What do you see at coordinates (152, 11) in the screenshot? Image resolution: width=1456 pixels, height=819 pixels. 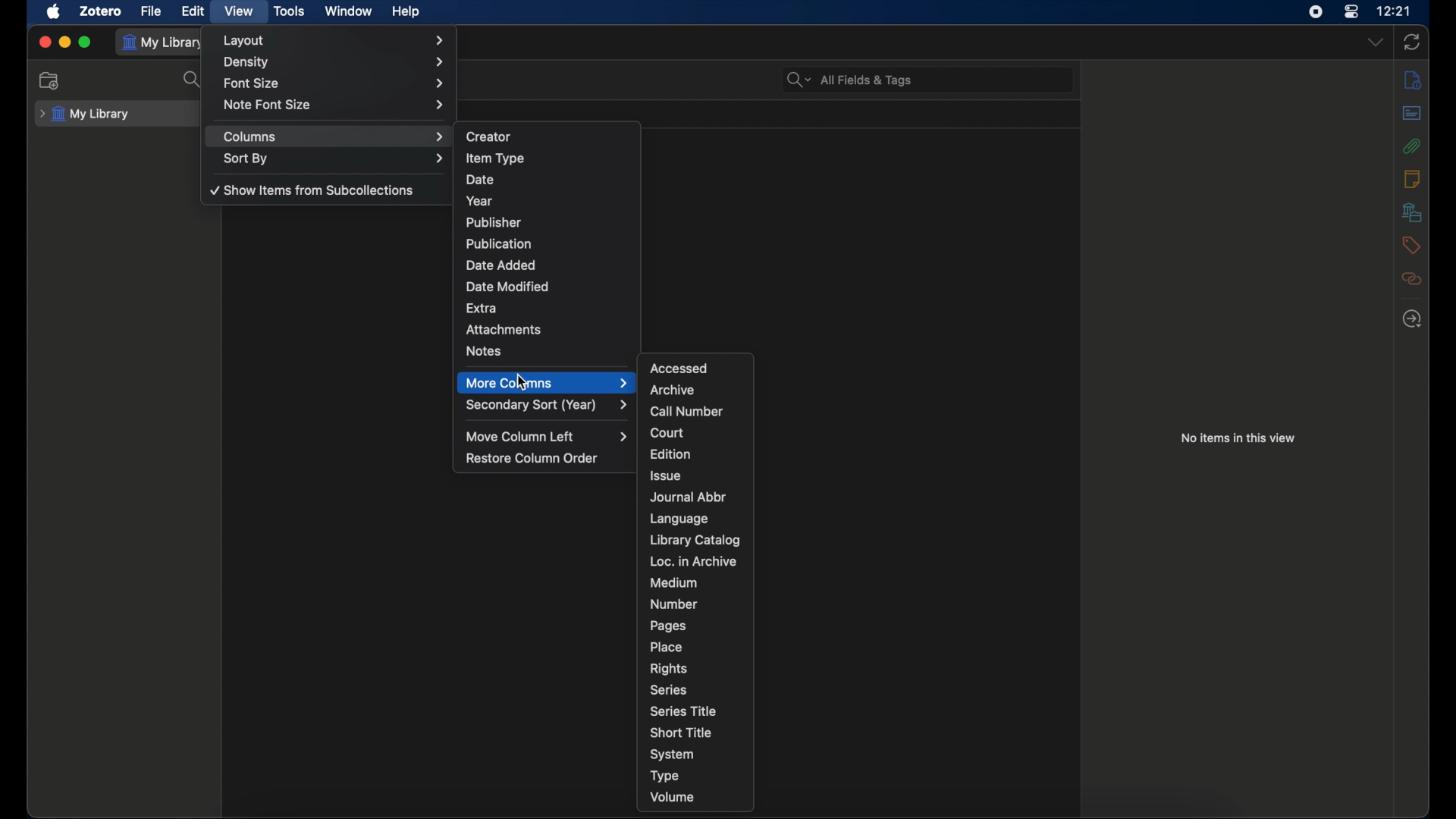 I see `file` at bounding box center [152, 11].